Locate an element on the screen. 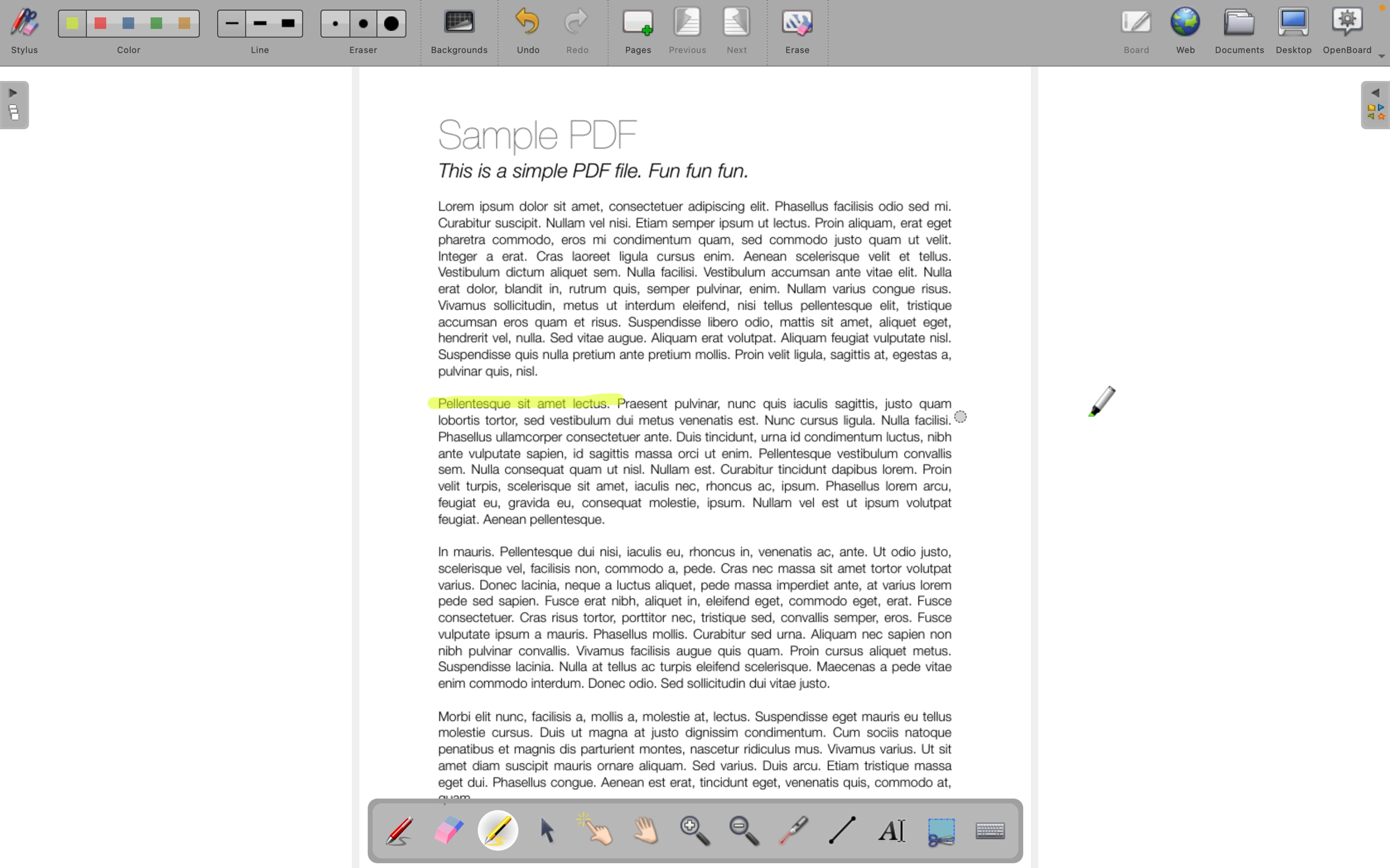  web is located at coordinates (1188, 29).